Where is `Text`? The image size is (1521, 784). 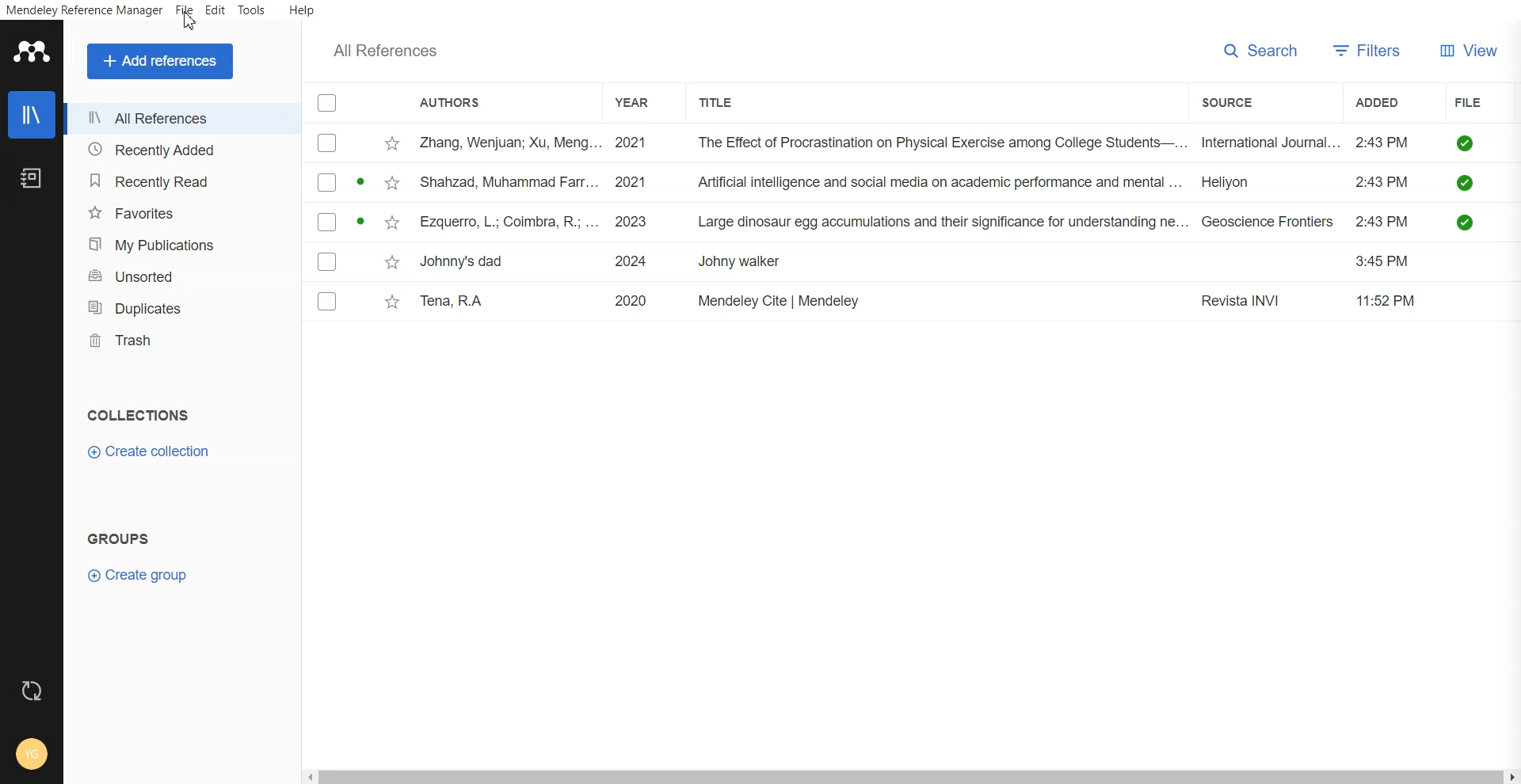 Text is located at coordinates (136, 414).